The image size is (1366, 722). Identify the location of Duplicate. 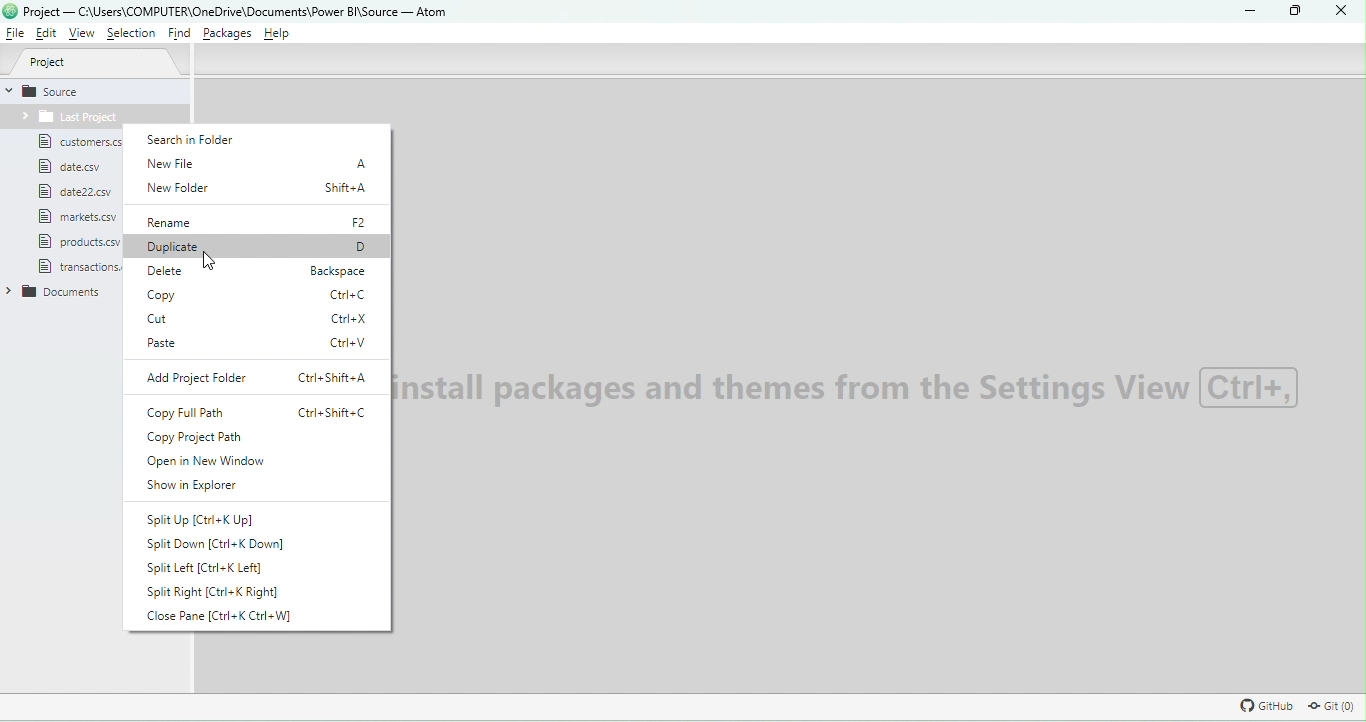
(258, 247).